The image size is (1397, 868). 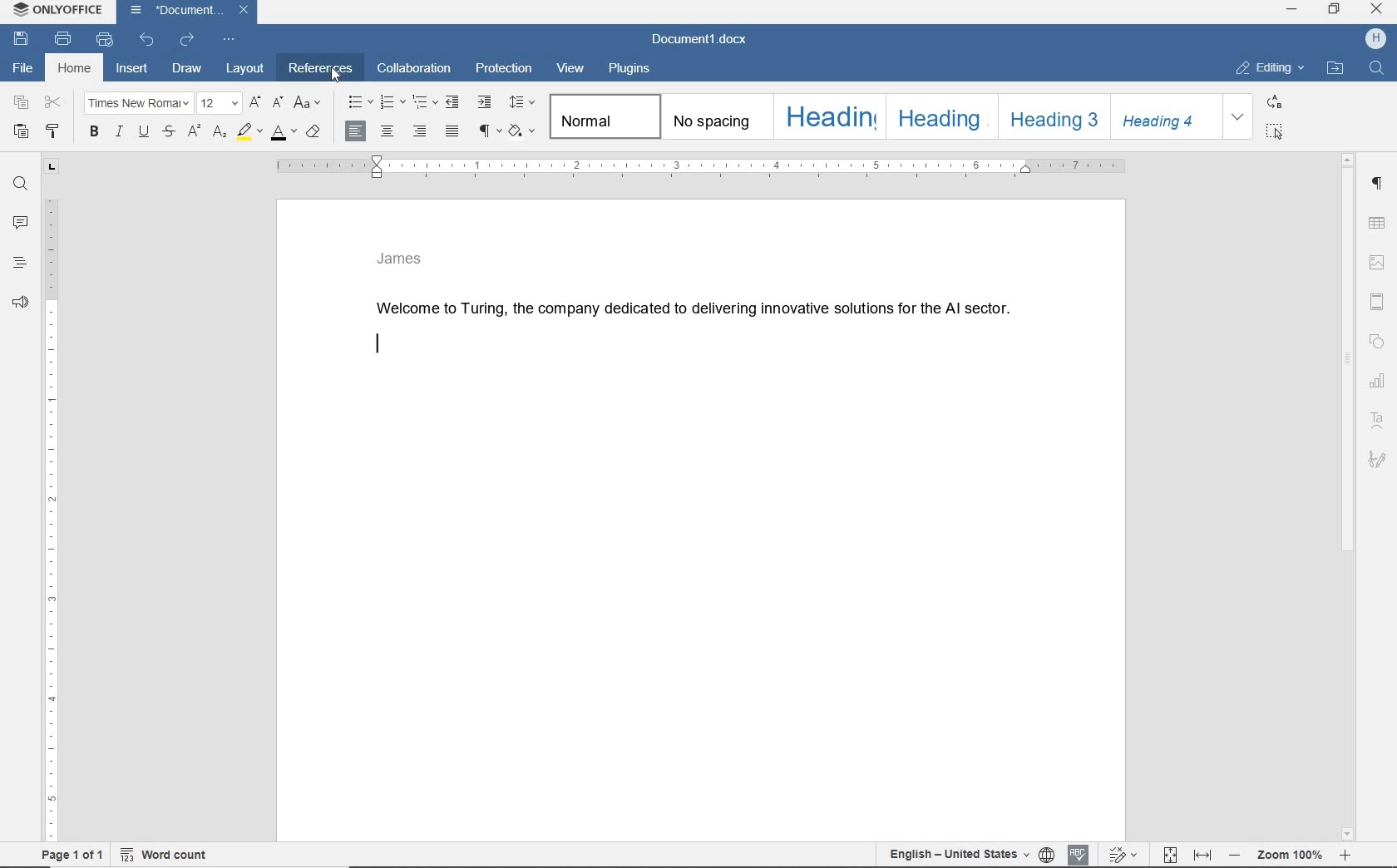 I want to click on find, so click(x=22, y=185).